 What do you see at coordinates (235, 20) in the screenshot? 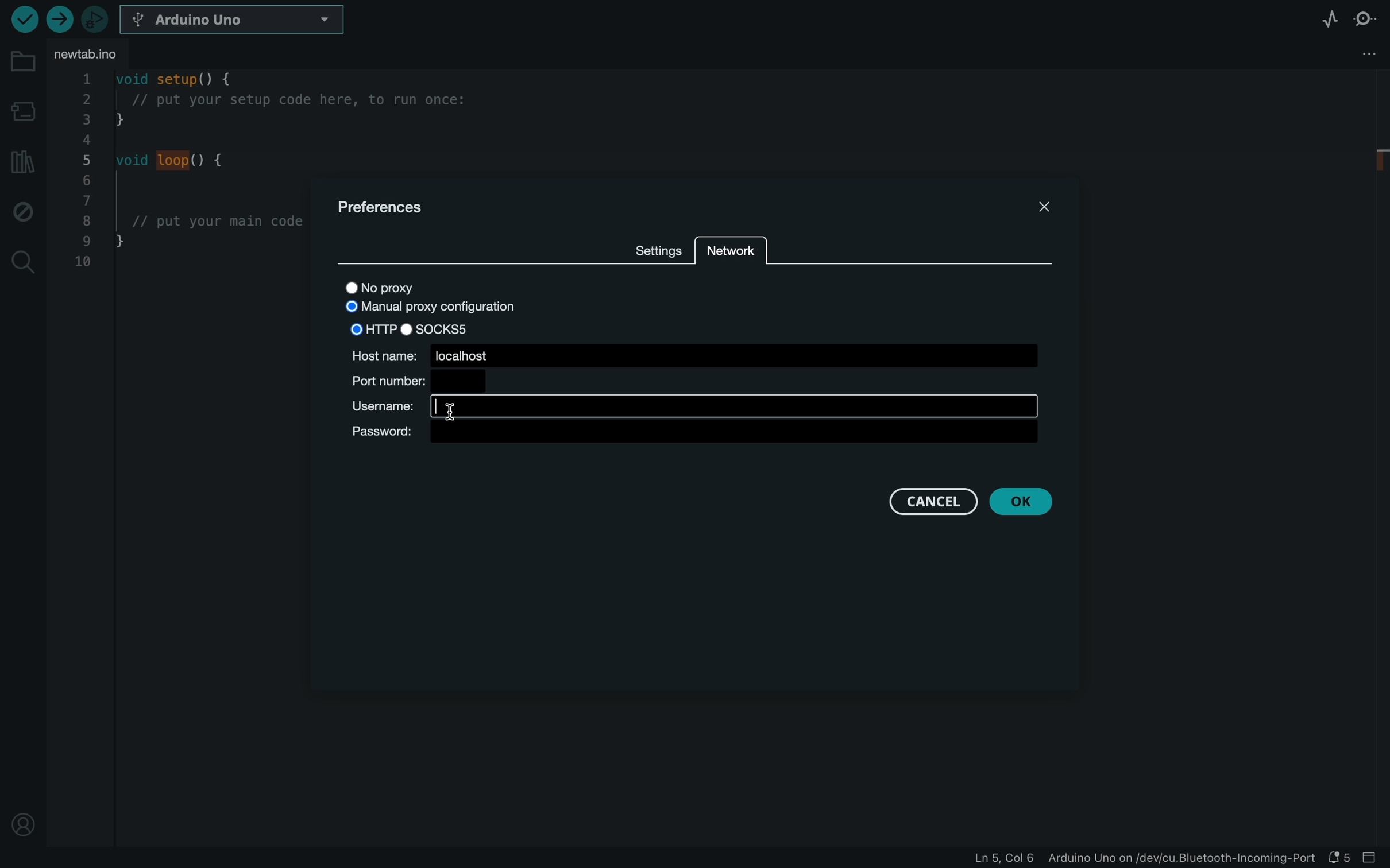
I see `board selecter` at bounding box center [235, 20].